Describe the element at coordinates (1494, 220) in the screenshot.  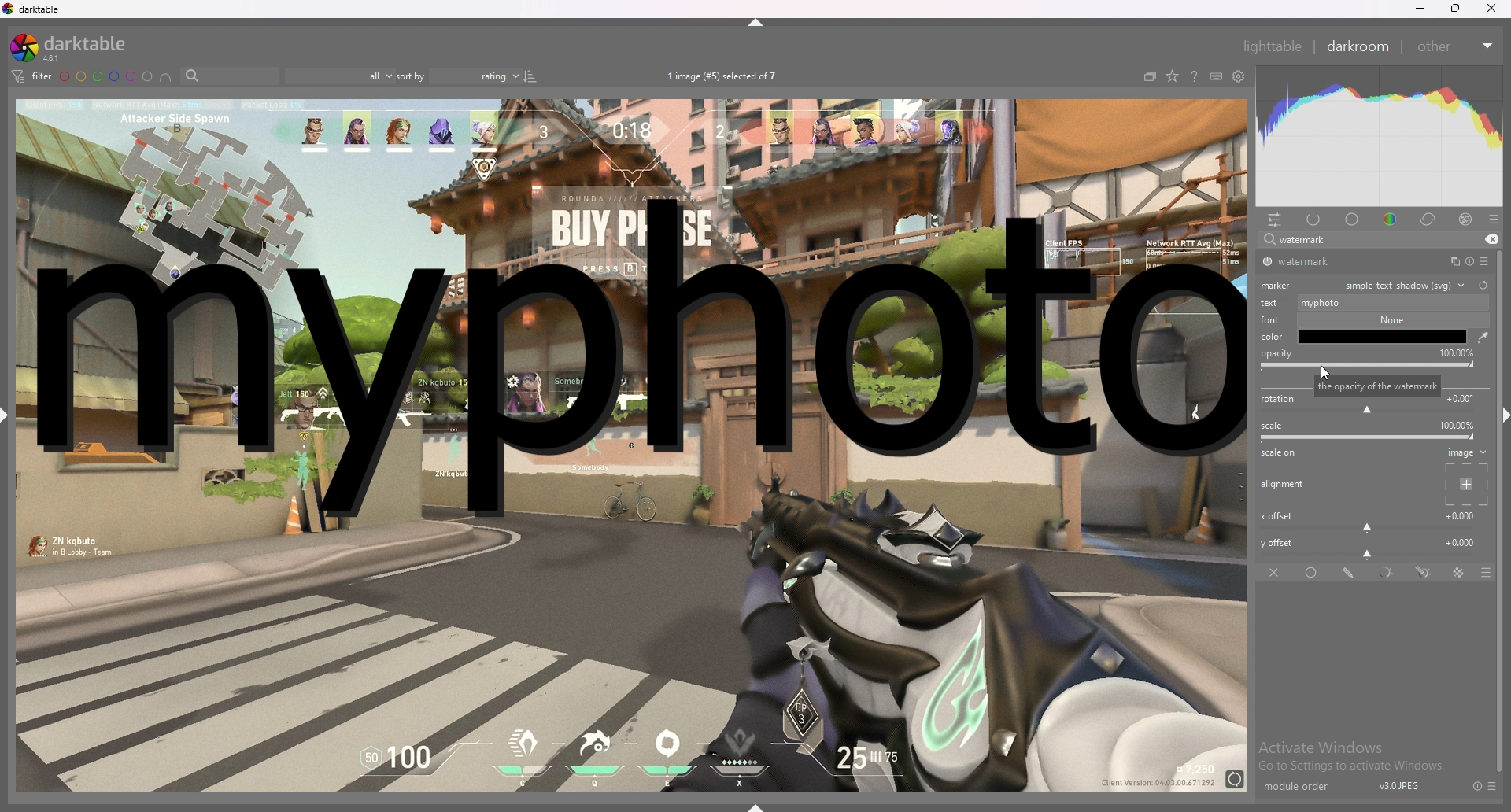
I see `presets` at that location.